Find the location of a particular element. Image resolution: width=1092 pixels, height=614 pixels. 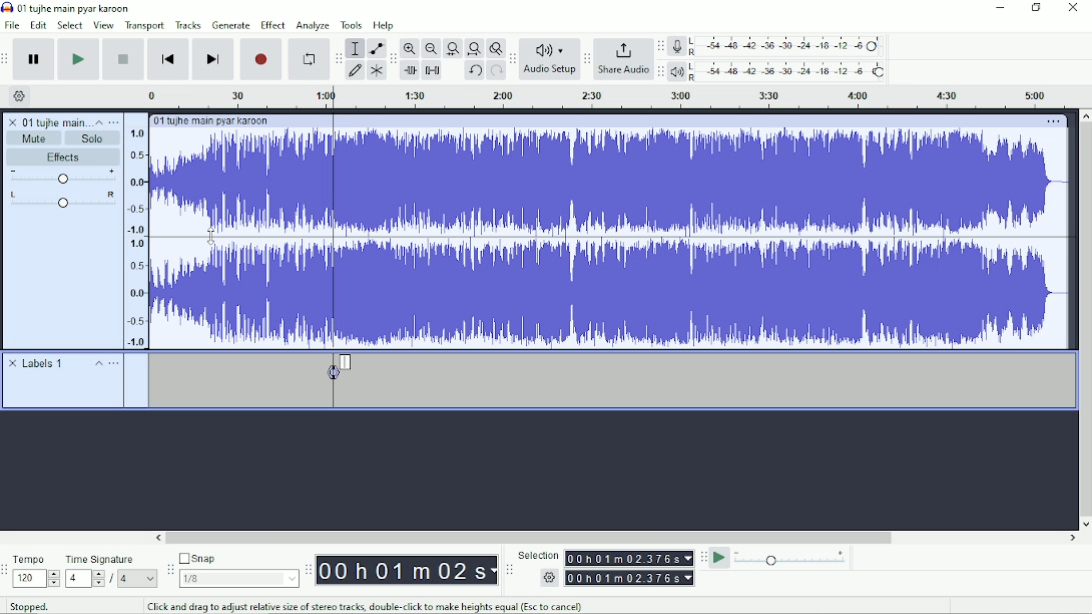

Horizontal scrollbar is located at coordinates (534, 537).